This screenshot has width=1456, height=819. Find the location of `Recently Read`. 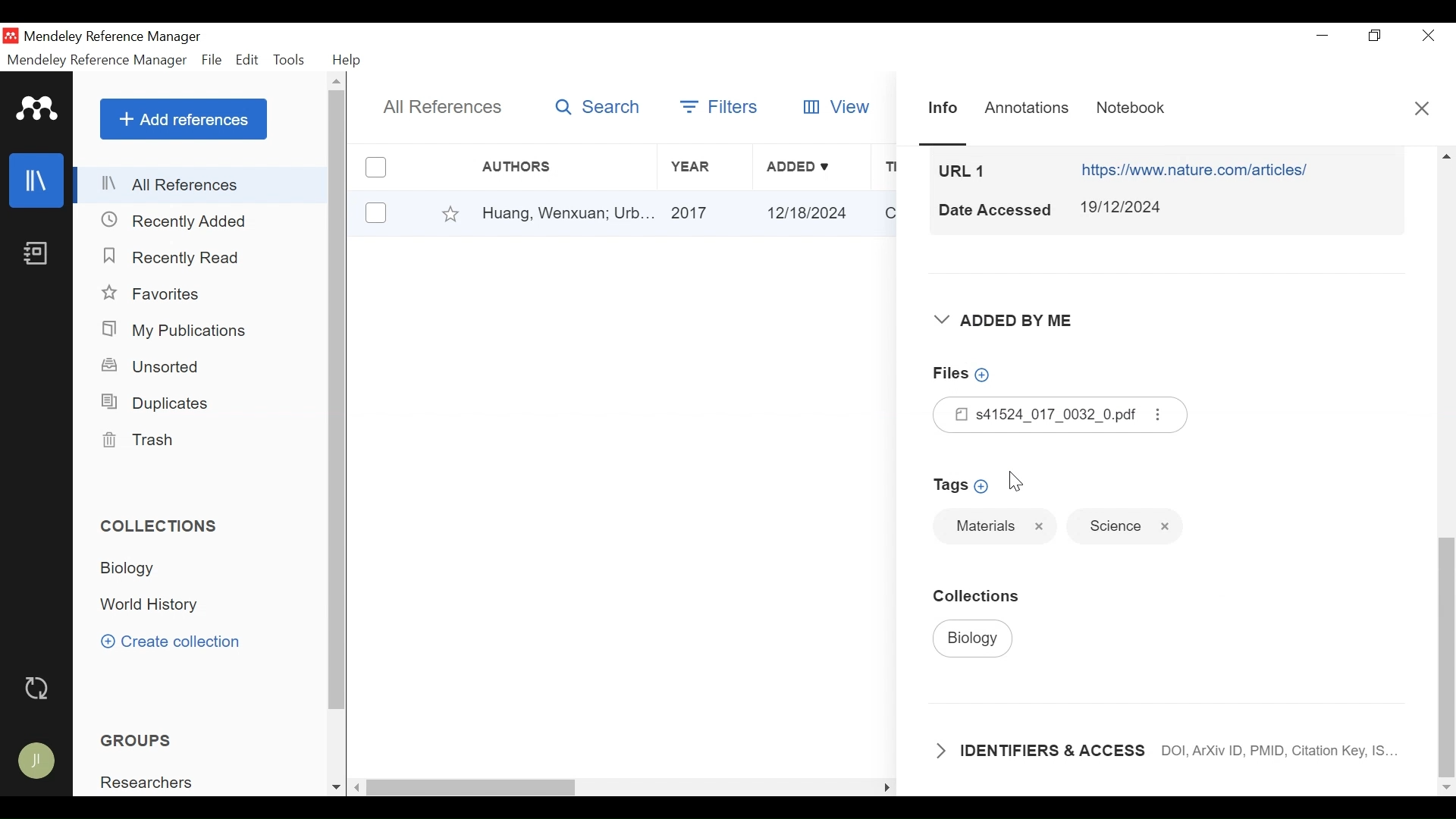

Recently Read is located at coordinates (176, 258).